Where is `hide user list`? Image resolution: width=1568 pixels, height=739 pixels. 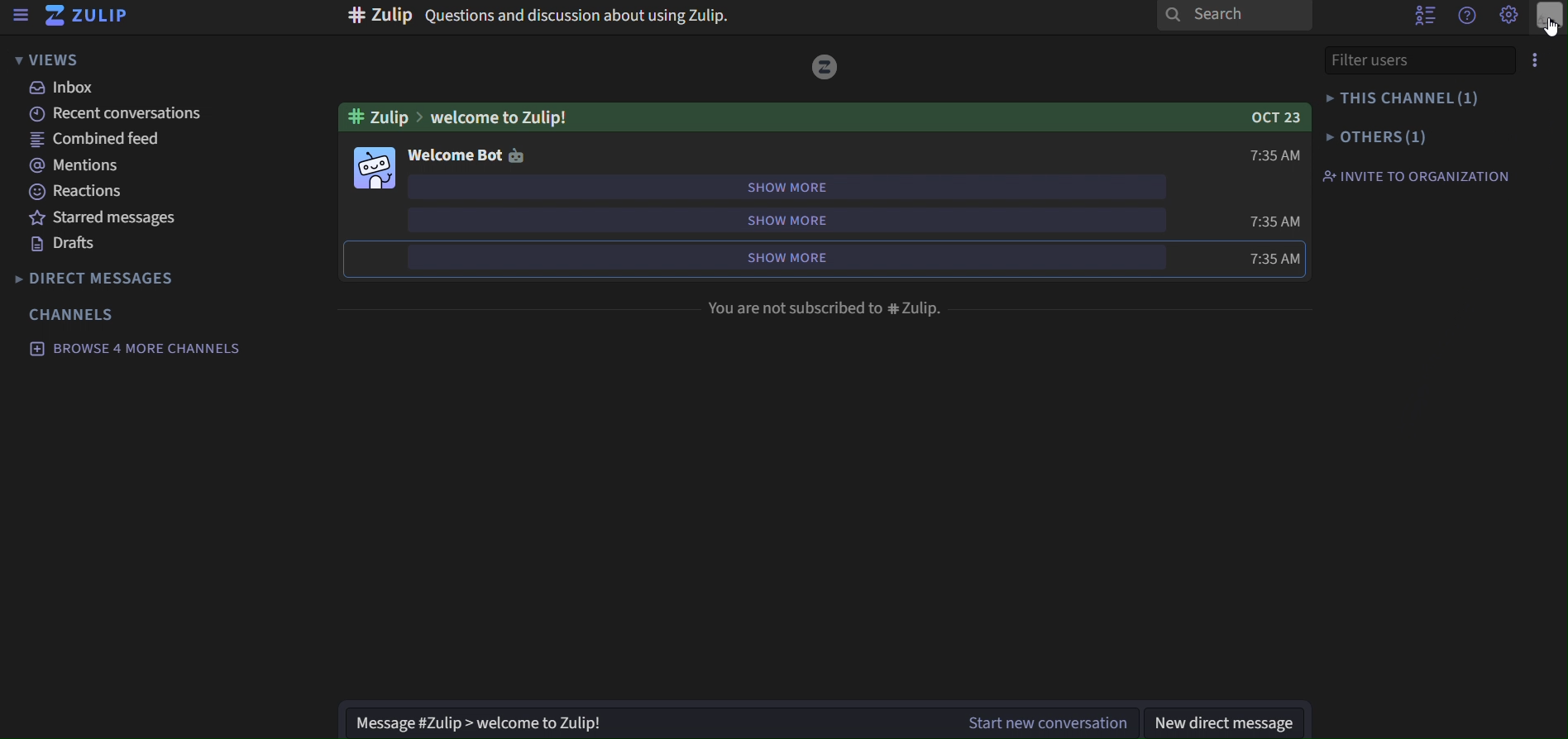
hide user list is located at coordinates (1423, 16).